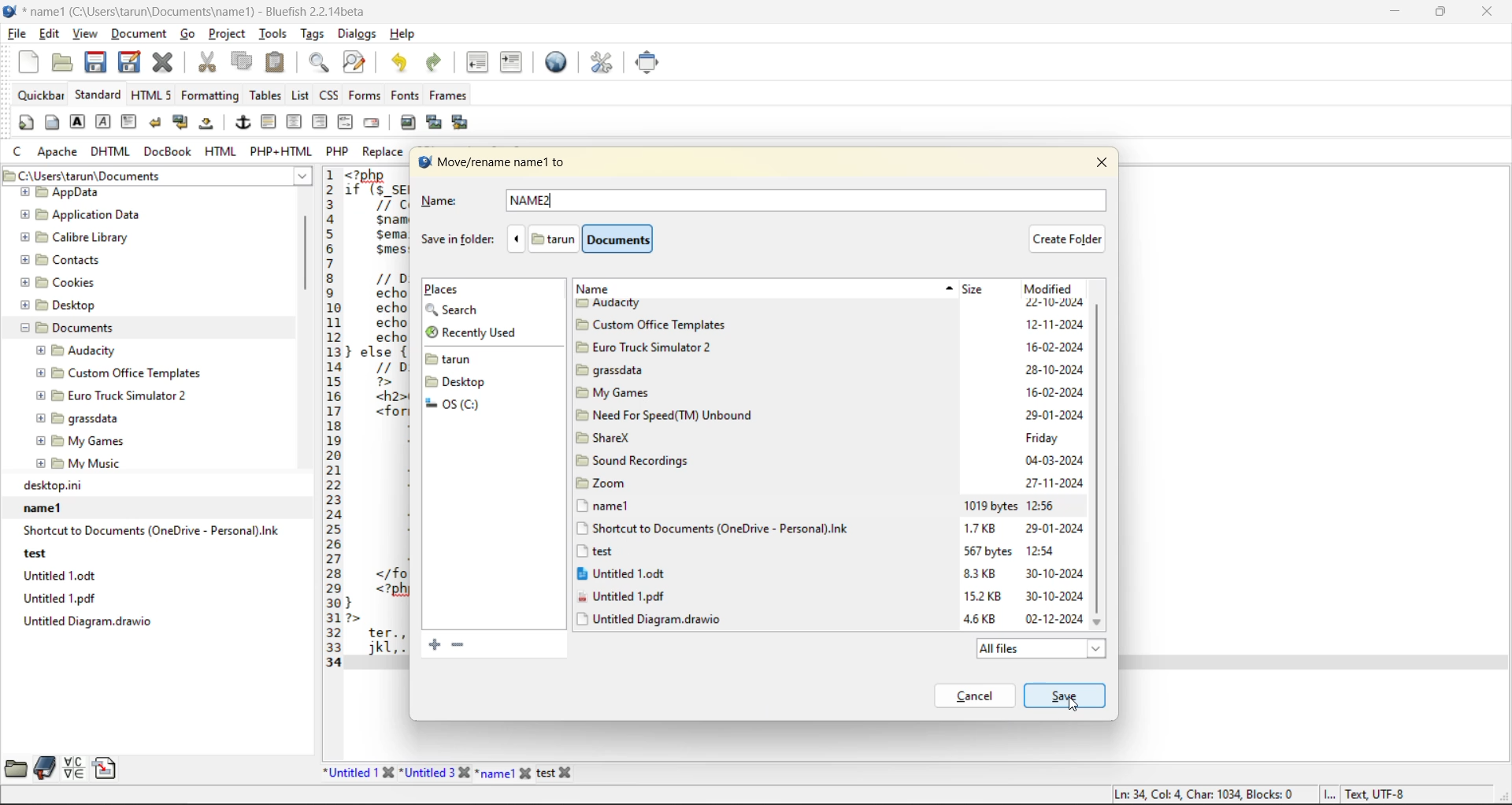 This screenshot has width=1512, height=805. I want to click on open, so click(64, 63).